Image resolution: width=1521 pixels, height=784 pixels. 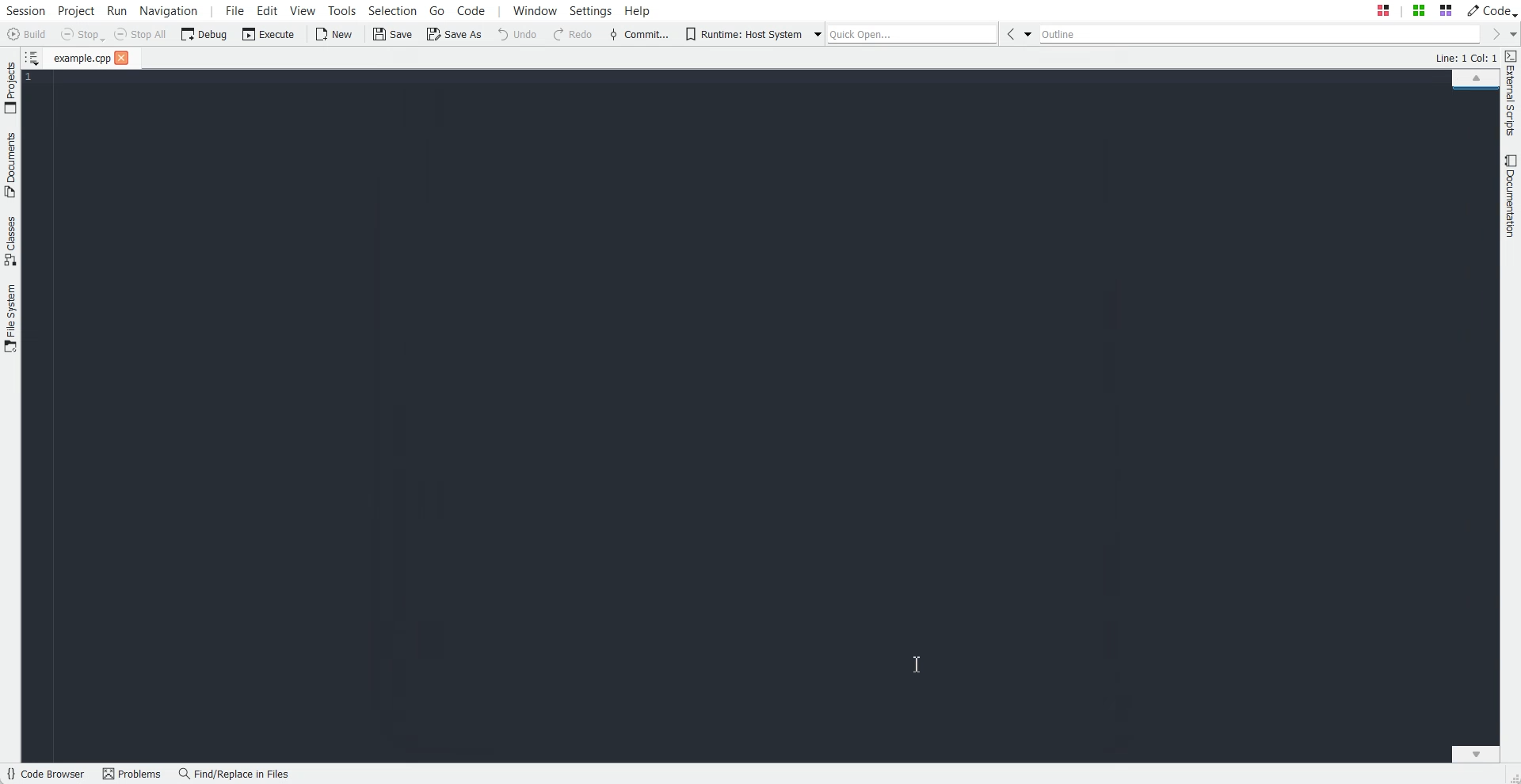 What do you see at coordinates (1491, 755) in the screenshot?
I see `Scroll down` at bounding box center [1491, 755].